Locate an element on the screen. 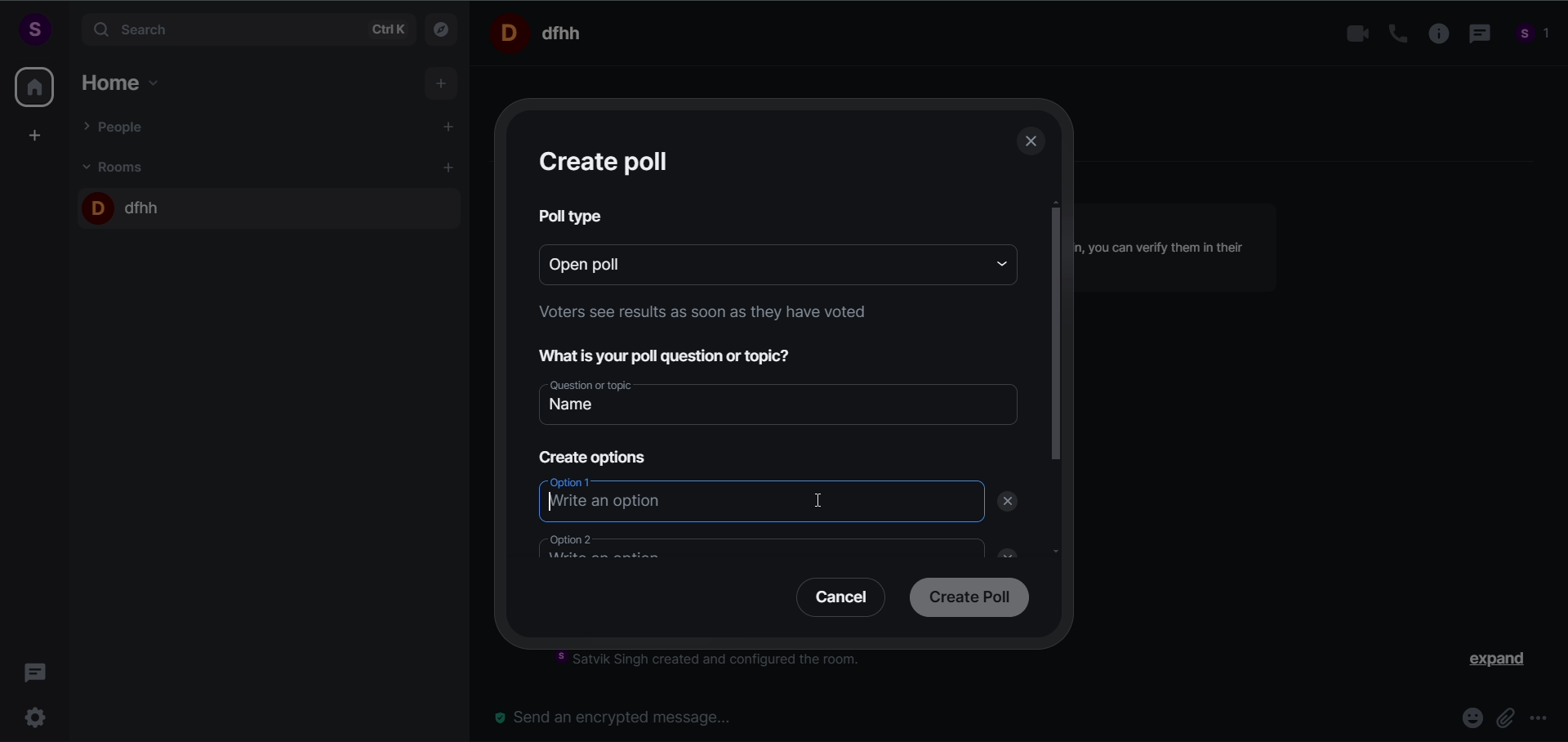 The image size is (1568, 742). option 2 is located at coordinates (749, 545).